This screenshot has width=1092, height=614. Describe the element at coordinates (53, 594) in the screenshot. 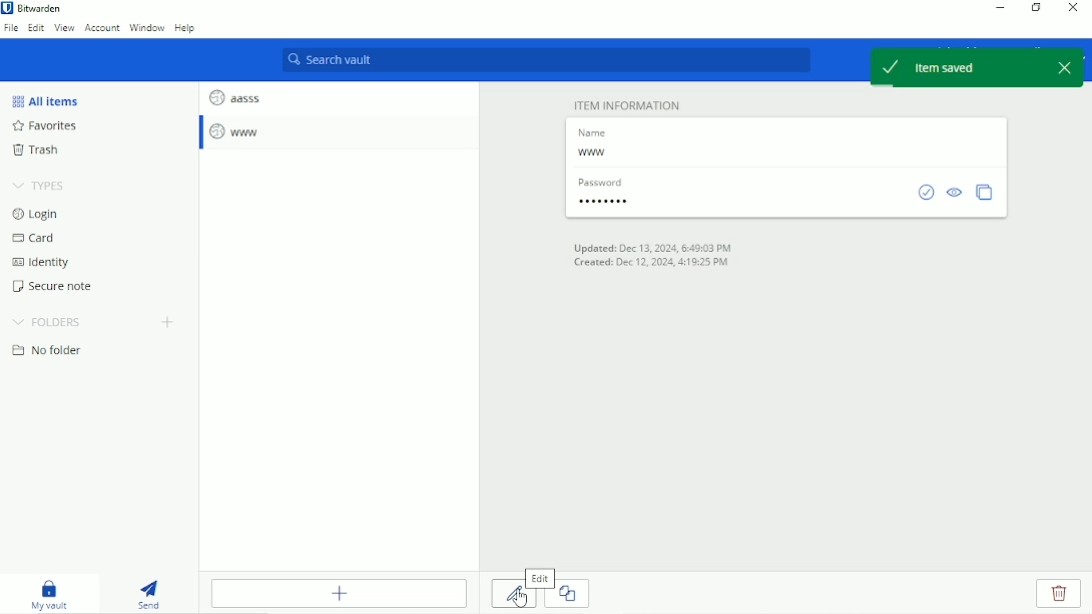

I see `My vault` at that location.